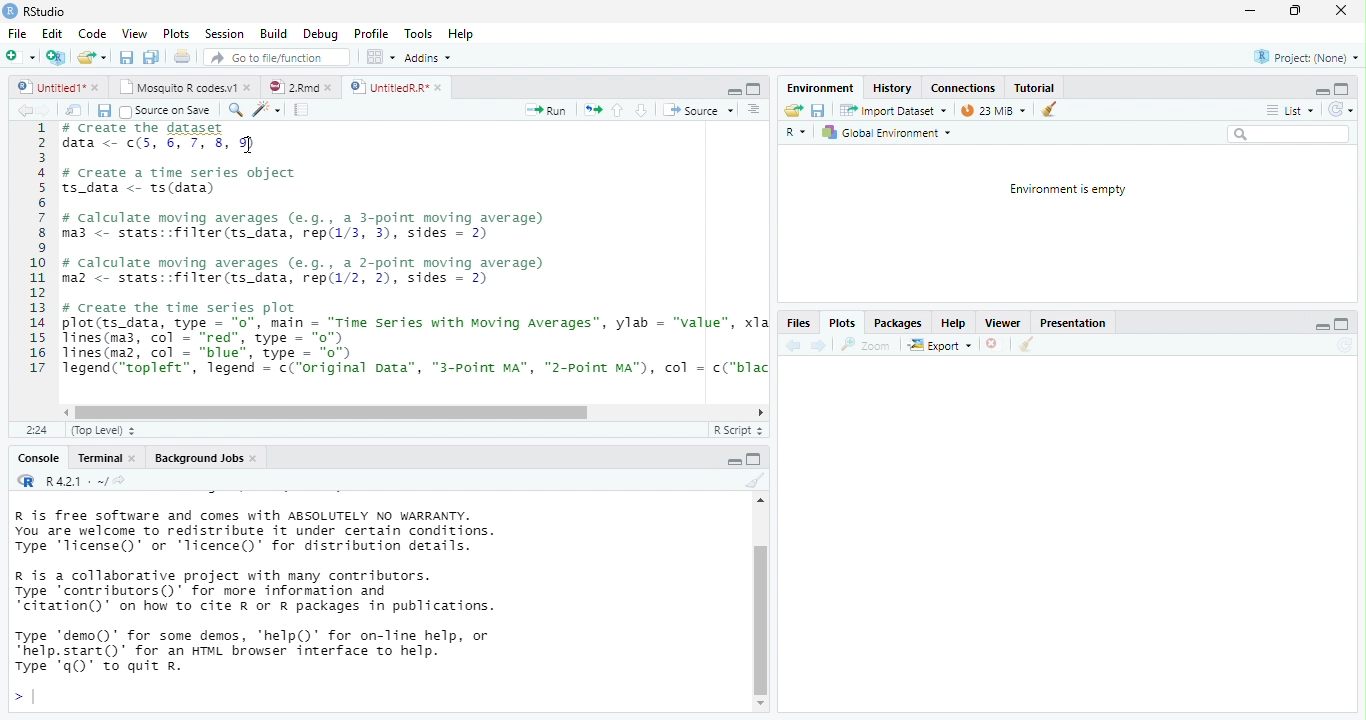 This screenshot has height=720, width=1366. What do you see at coordinates (1289, 111) in the screenshot?
I see `List` at bounding box center [1289, 111].